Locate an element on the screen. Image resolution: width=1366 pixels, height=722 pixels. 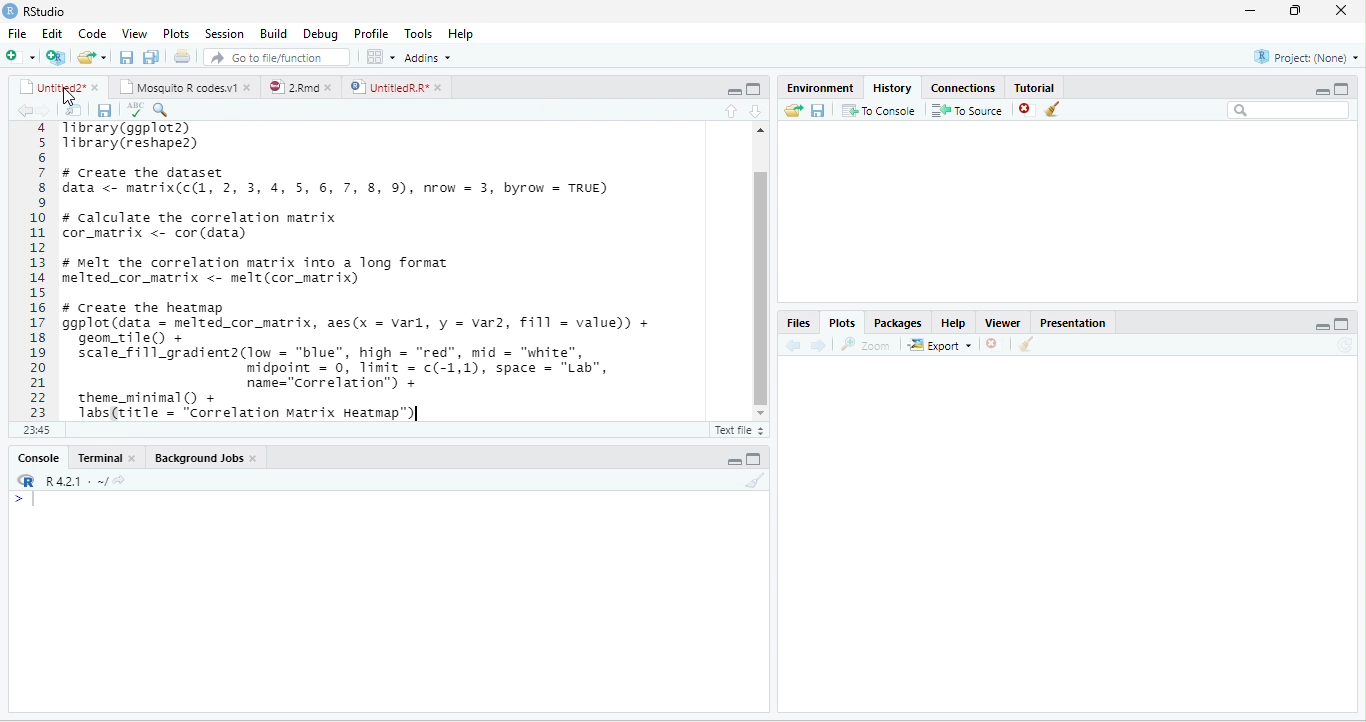
edit is located at coordinates (52, 34).